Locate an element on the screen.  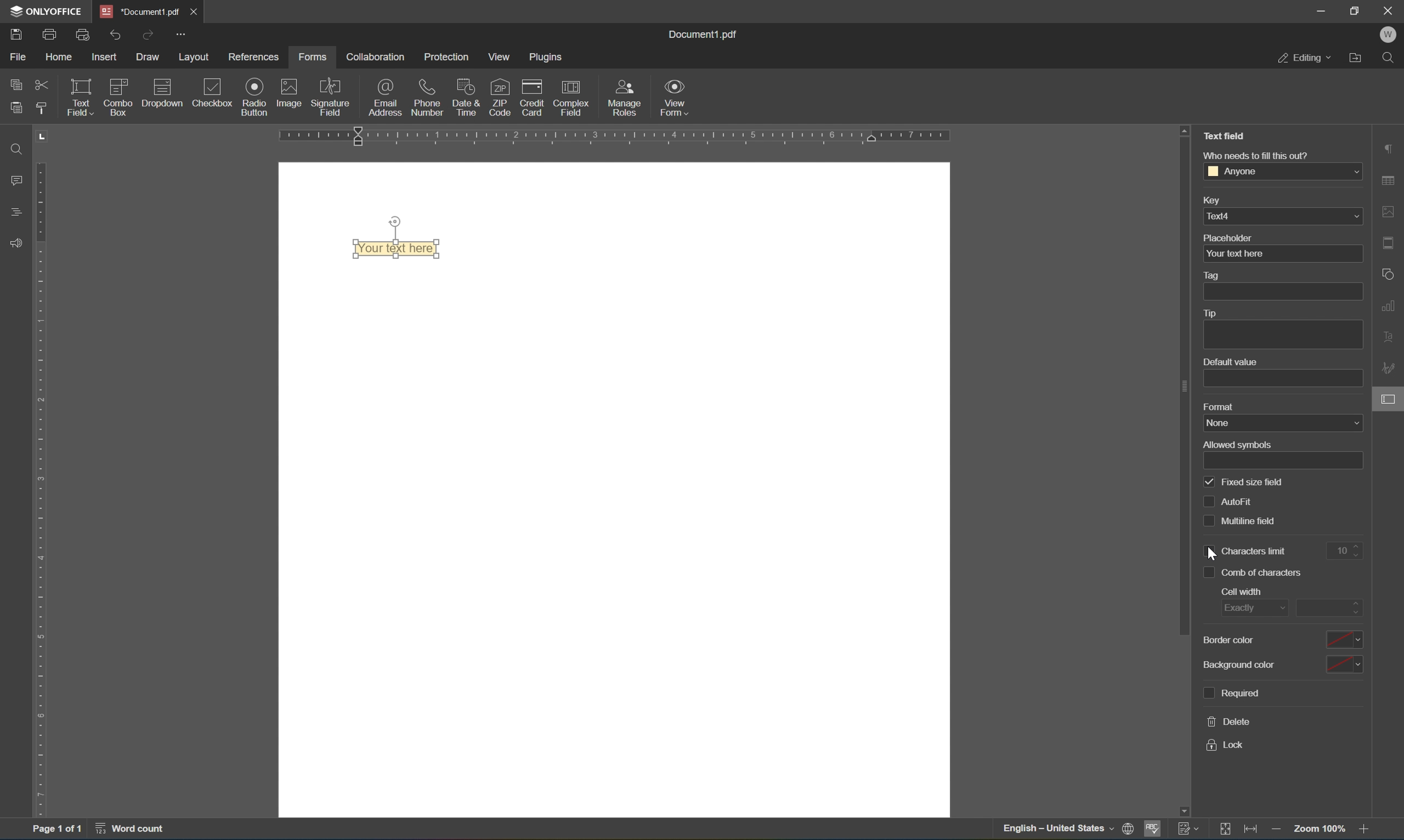
shape settings is located at coordinates (1392, 275).